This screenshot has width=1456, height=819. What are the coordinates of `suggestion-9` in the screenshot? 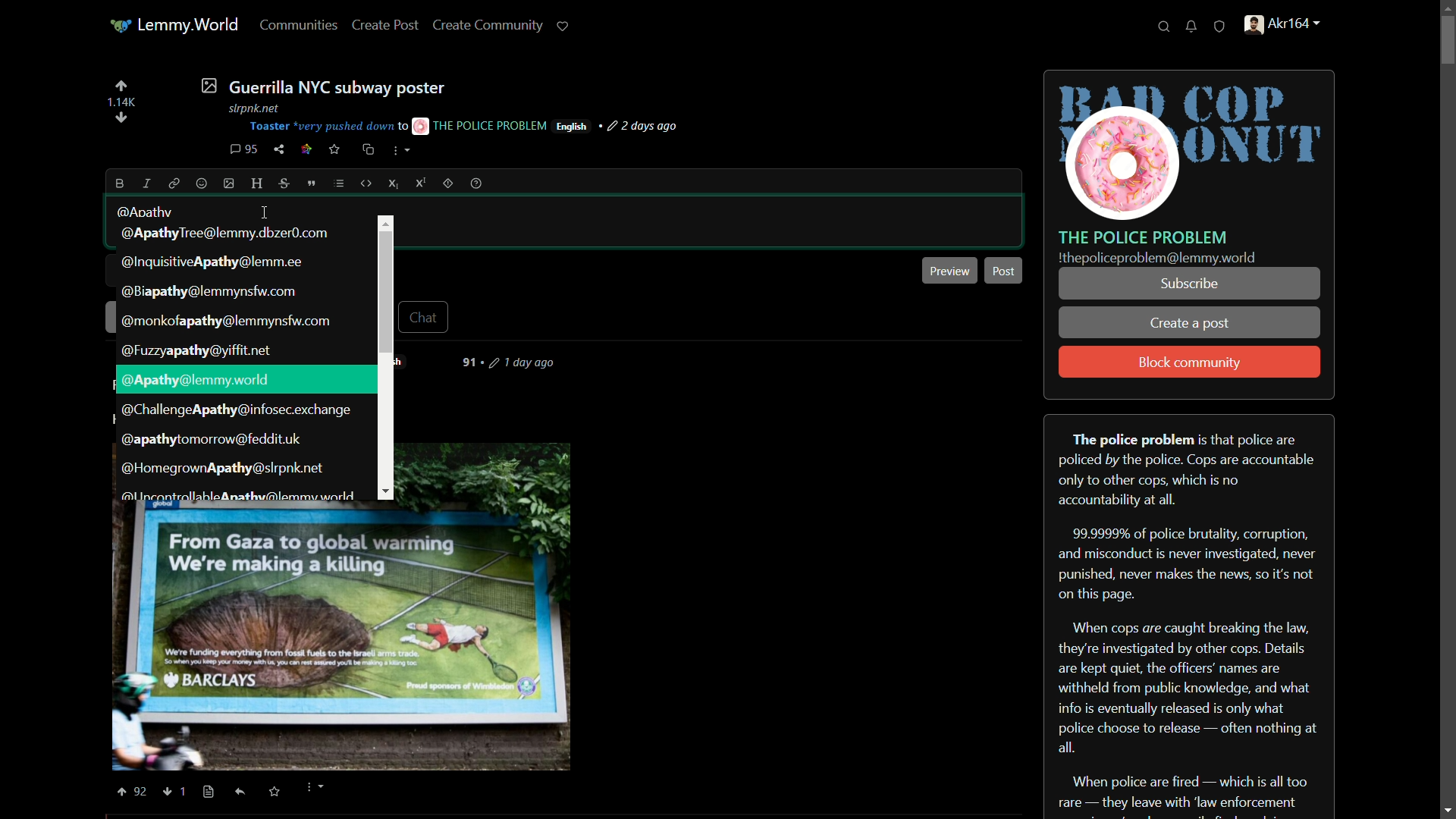 It's located at (221, 467).